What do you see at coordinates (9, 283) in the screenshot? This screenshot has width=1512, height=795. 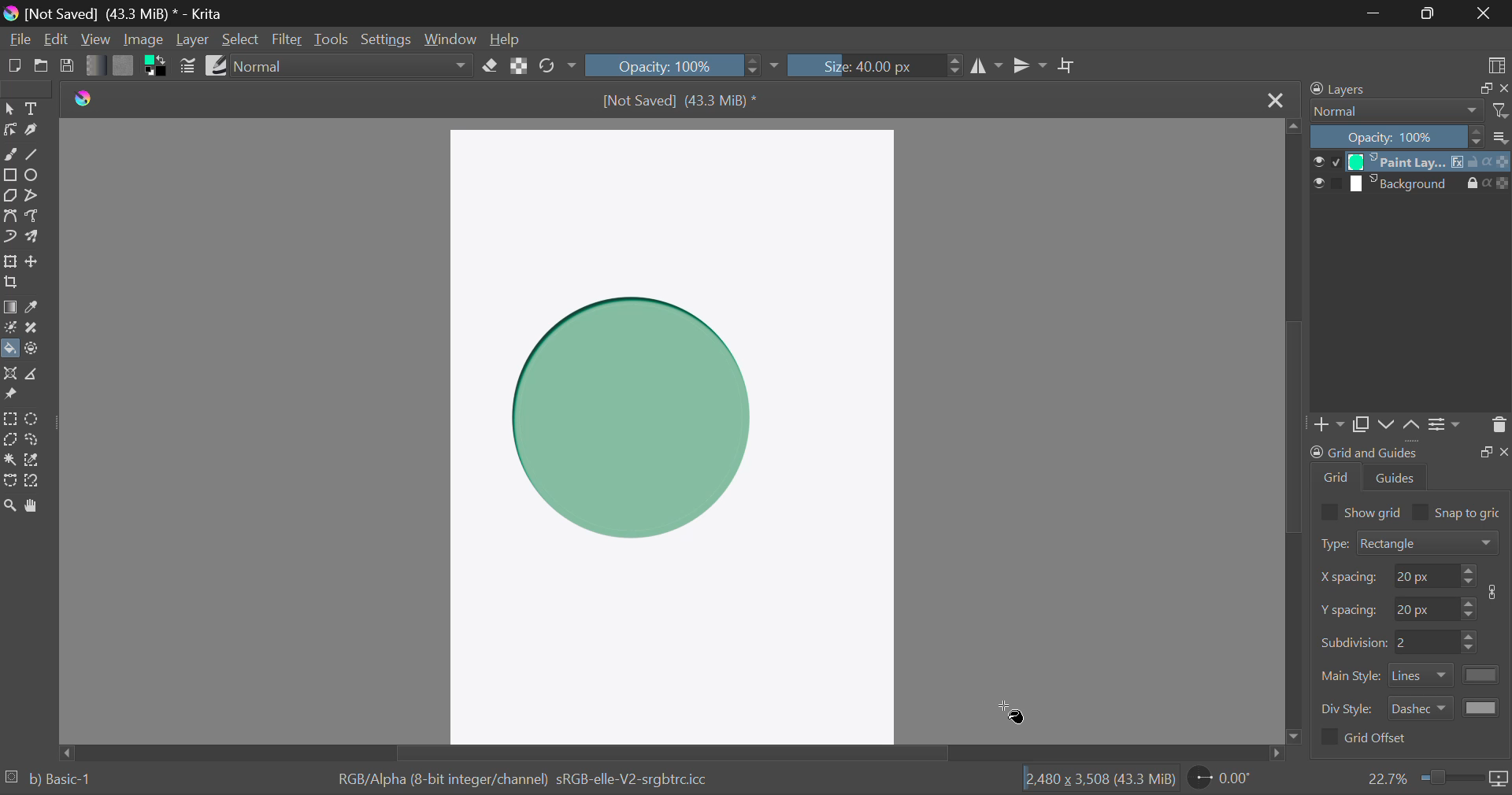 I see `Crop` at bounding box center [9, 283].